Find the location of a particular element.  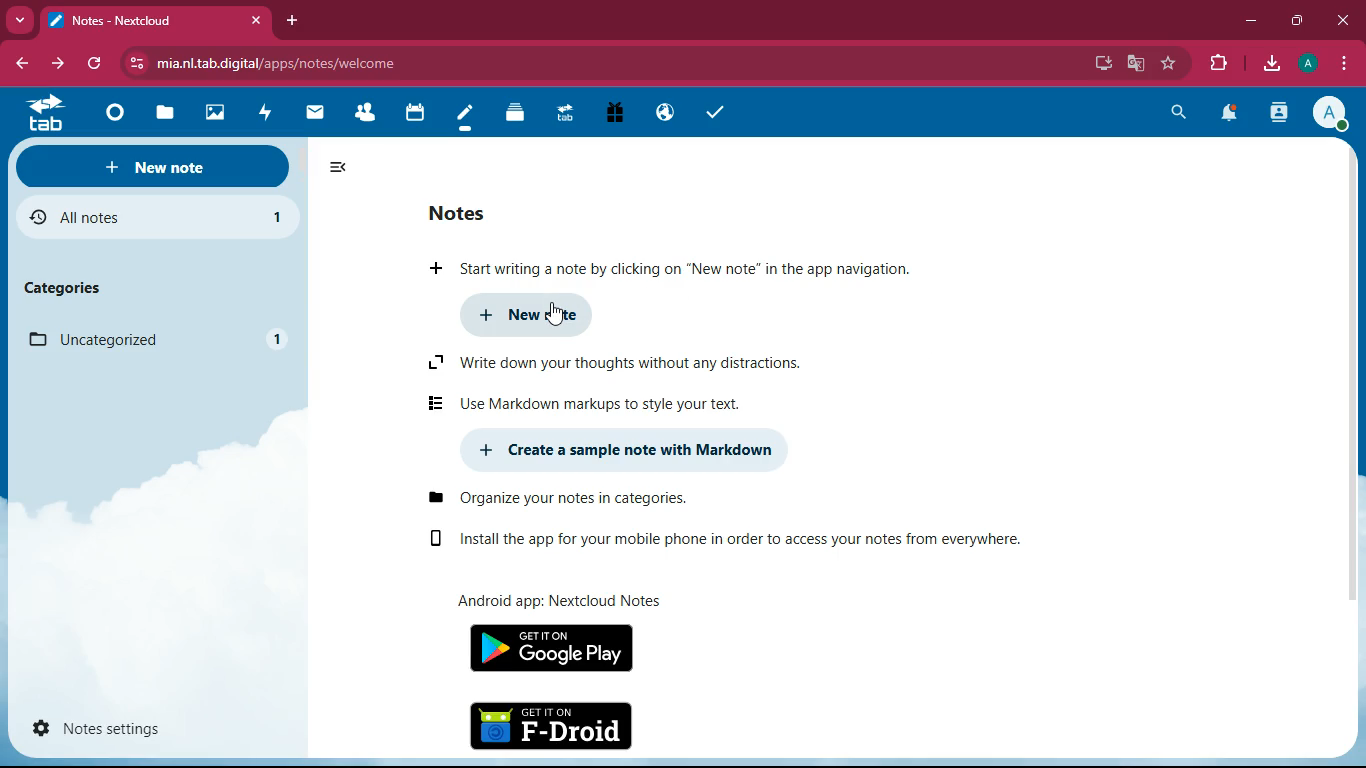

image is located at coordinates (216, 110).